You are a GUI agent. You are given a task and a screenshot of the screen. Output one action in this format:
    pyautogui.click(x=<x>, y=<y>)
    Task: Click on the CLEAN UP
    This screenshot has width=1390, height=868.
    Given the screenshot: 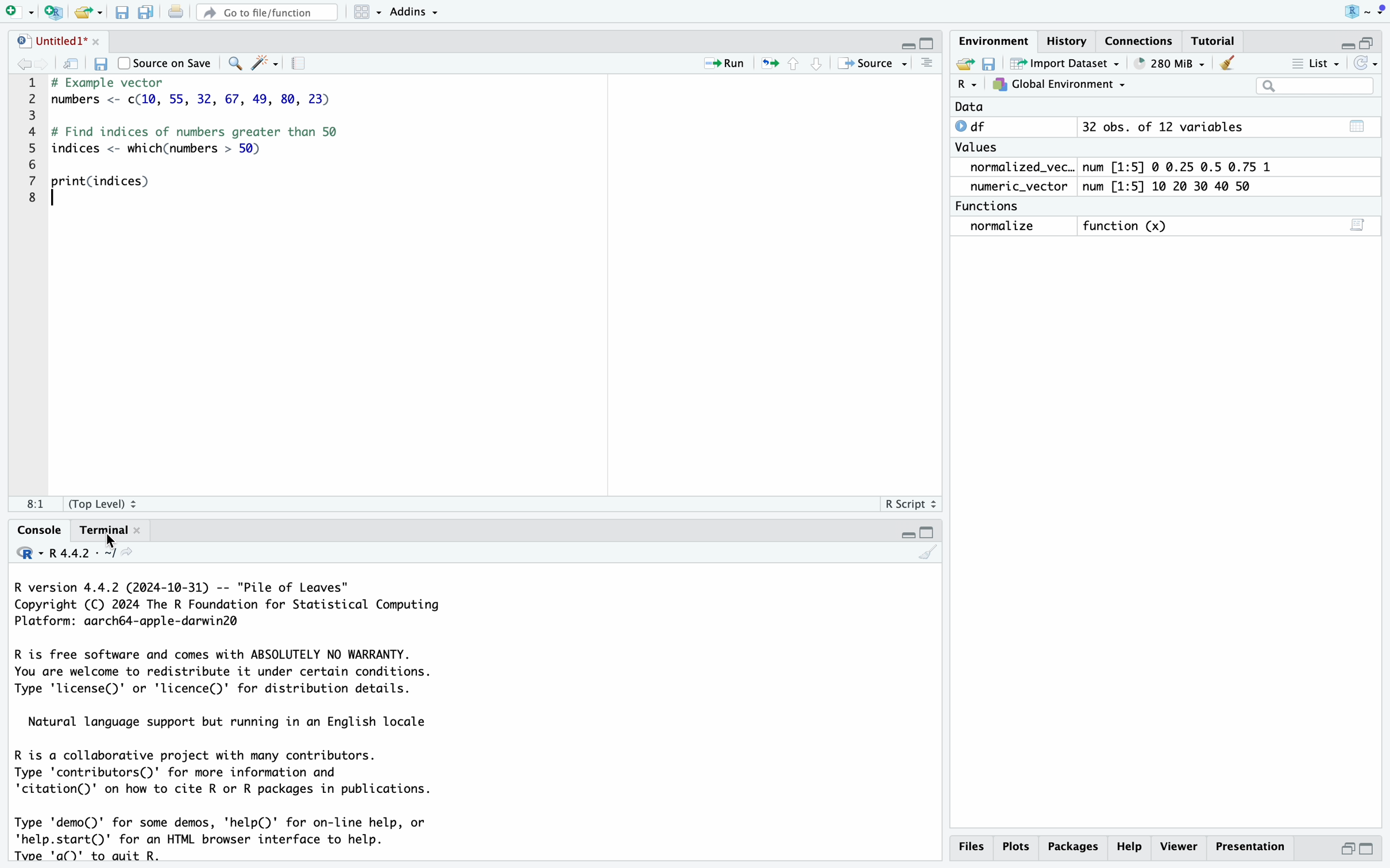 What is the action you would take?
    pyautogui.click(x=1228, y=62)
    